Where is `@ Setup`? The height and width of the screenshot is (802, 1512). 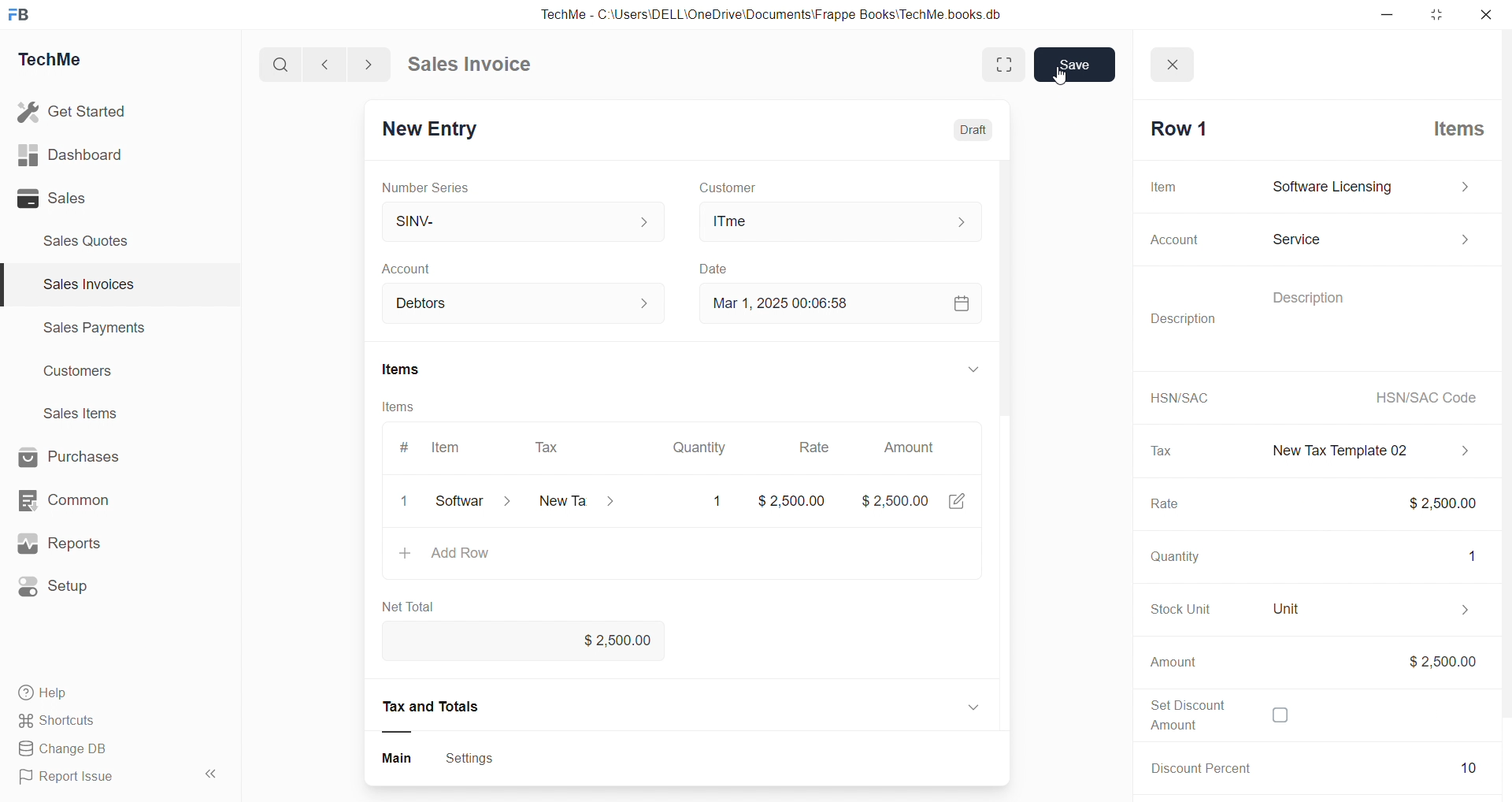
@ Setup is located at coordinates (62, 592).